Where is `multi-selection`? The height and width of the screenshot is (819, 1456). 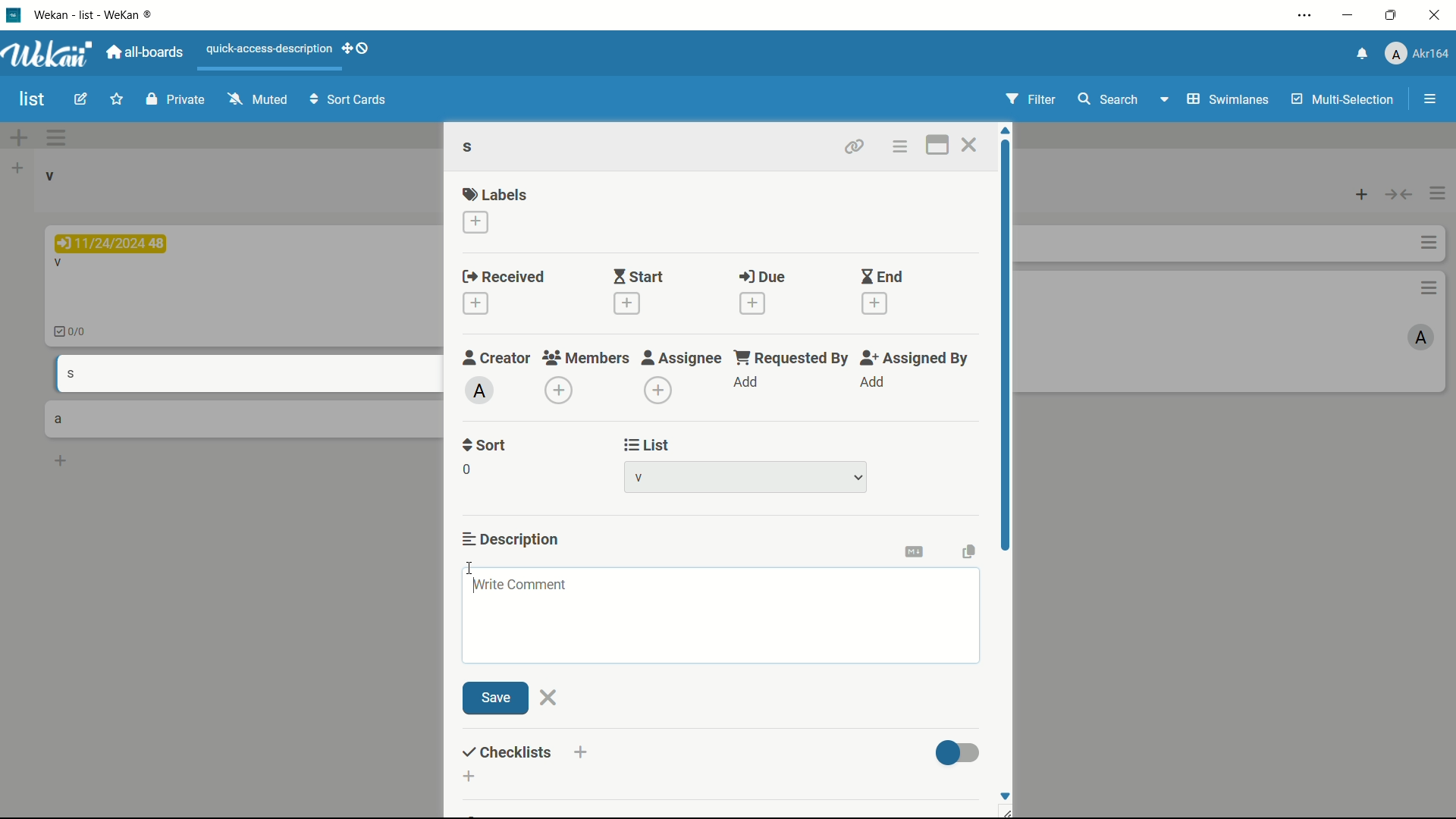 multi-selection is located at coordinates (1343, 100).